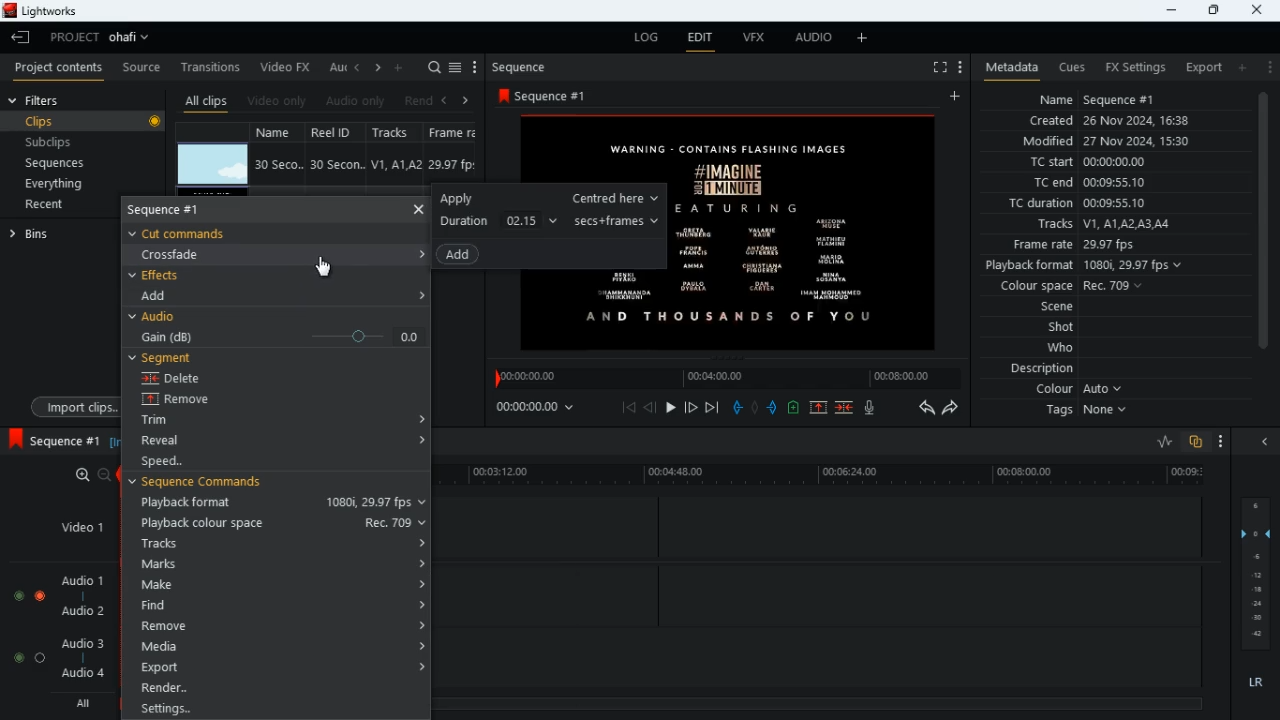 This screenshot has height=720, width=1280. I want to click on fullscreen, so click(938, 68).